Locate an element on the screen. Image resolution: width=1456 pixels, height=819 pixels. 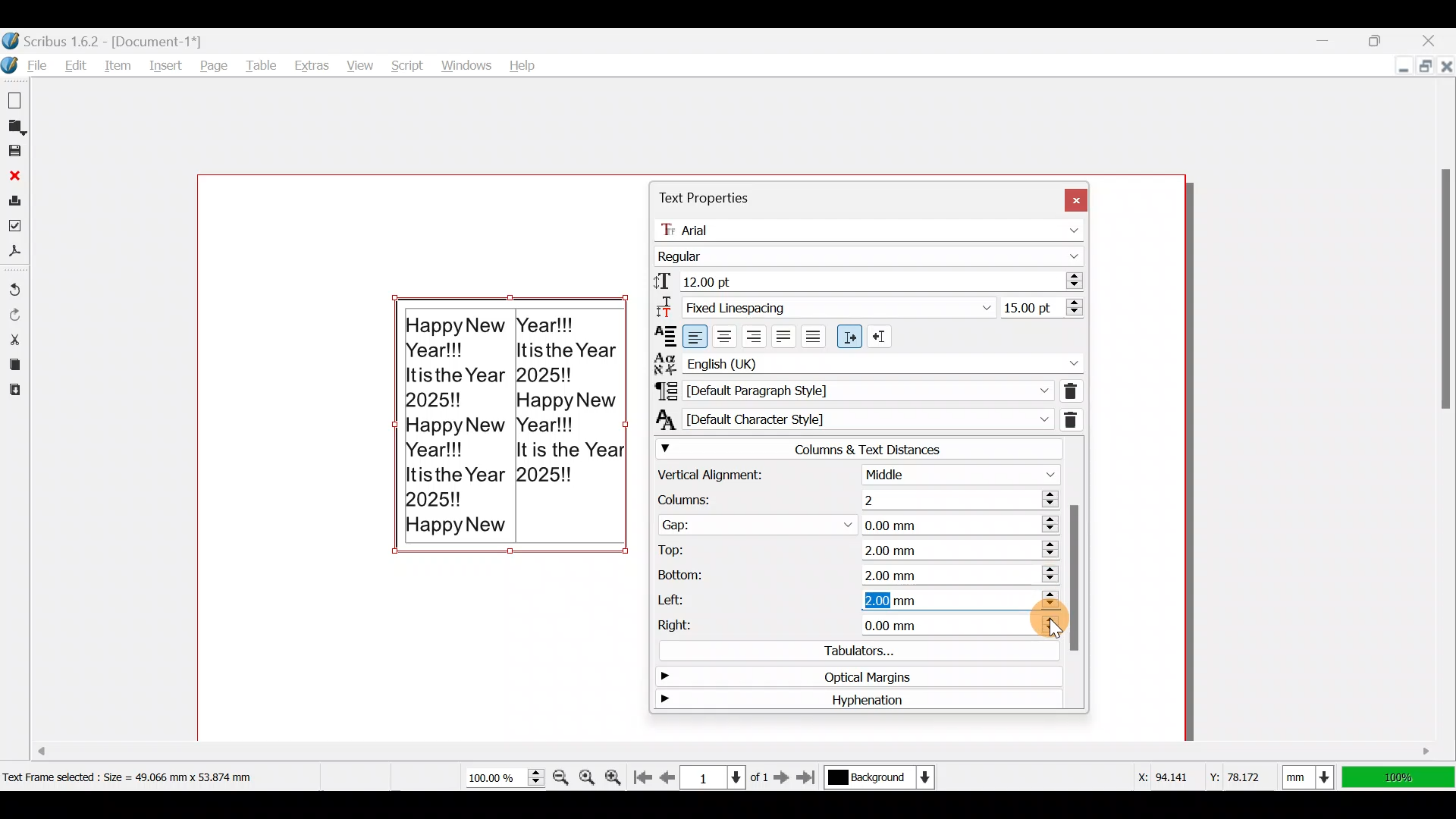
Align text right is located at coordinates (757, 334).